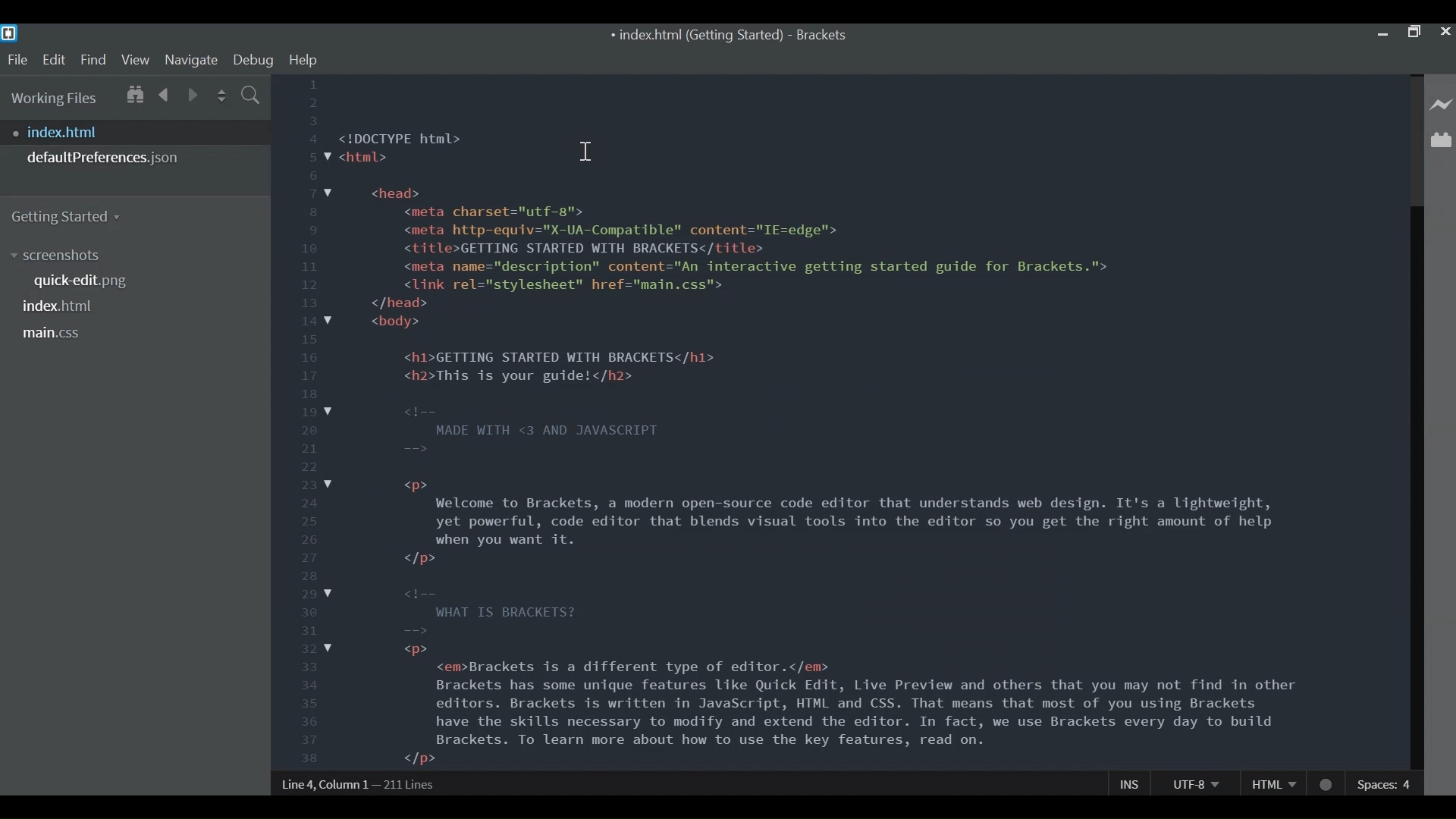  What do you see at coordinates (93, 59) in the screenshot?
I see `Find` at bounding box center [93, 59].